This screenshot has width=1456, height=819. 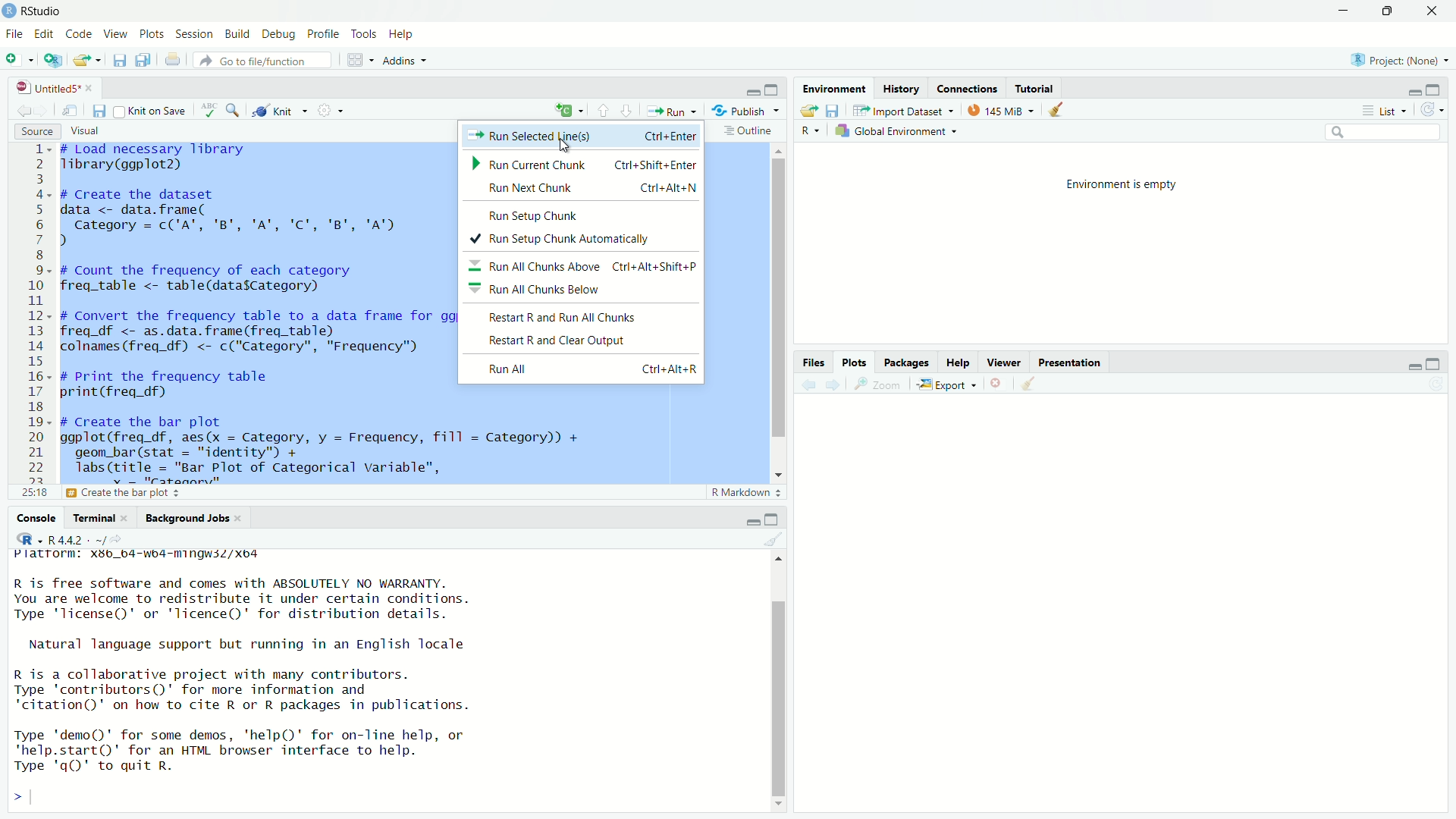 What do you see at coordinates (968, 89) in the screenshot?
I see `connections` at bounding box center [968, 89].